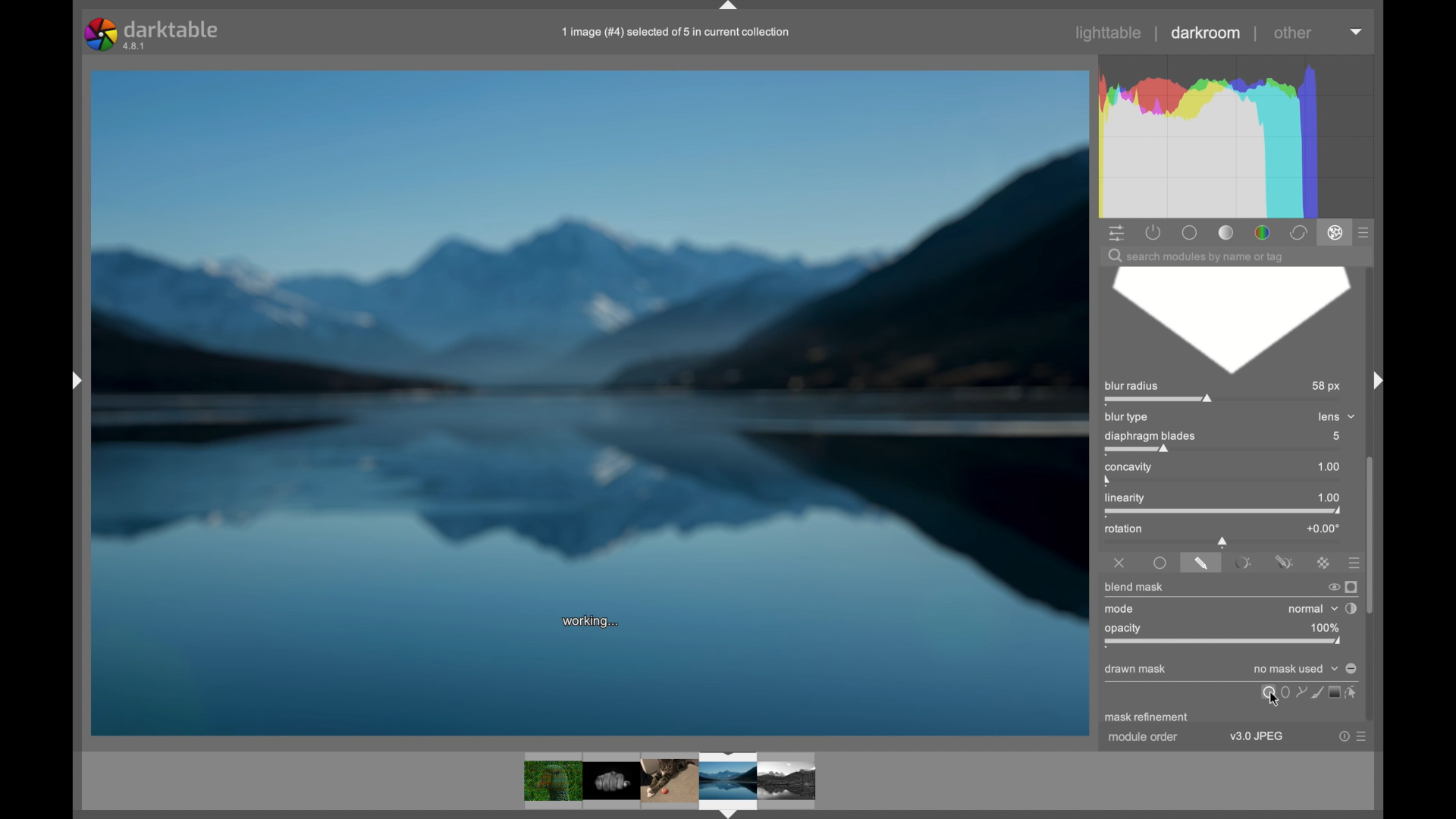  I want to click on other, so click(1293, 33).